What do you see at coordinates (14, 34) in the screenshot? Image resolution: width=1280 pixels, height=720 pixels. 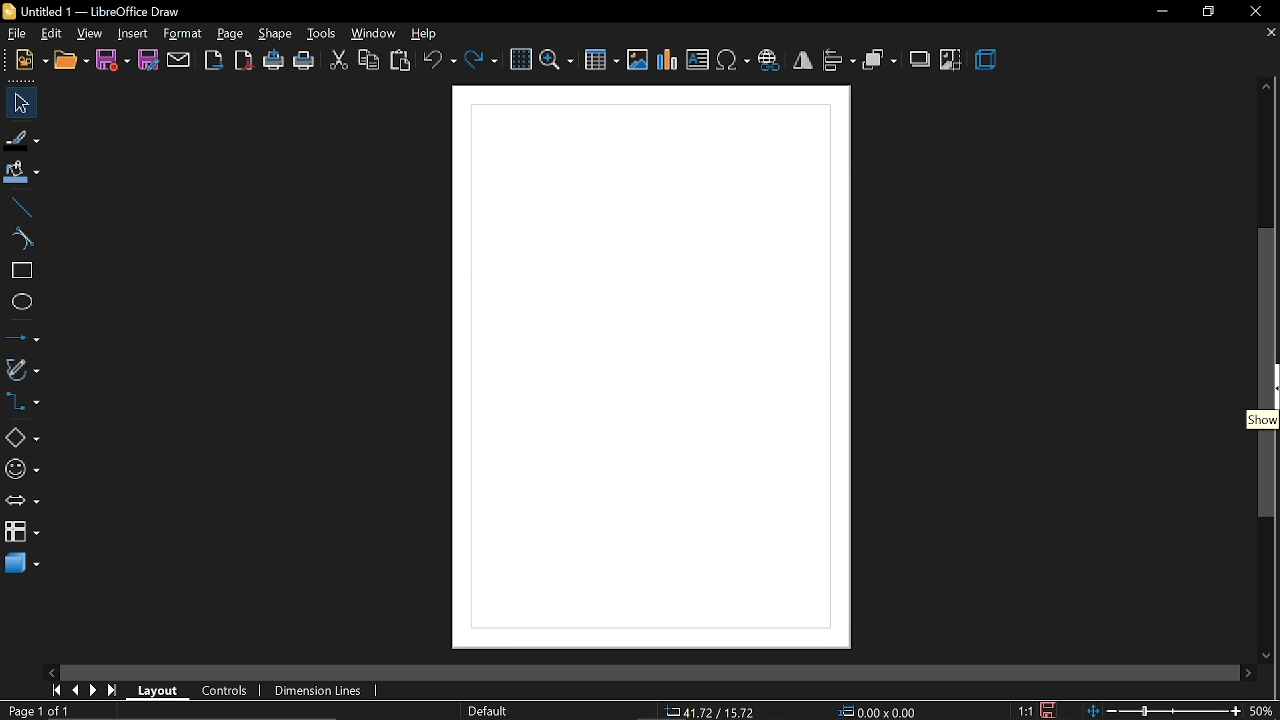 I see `file` at bounding box center [14, 34].